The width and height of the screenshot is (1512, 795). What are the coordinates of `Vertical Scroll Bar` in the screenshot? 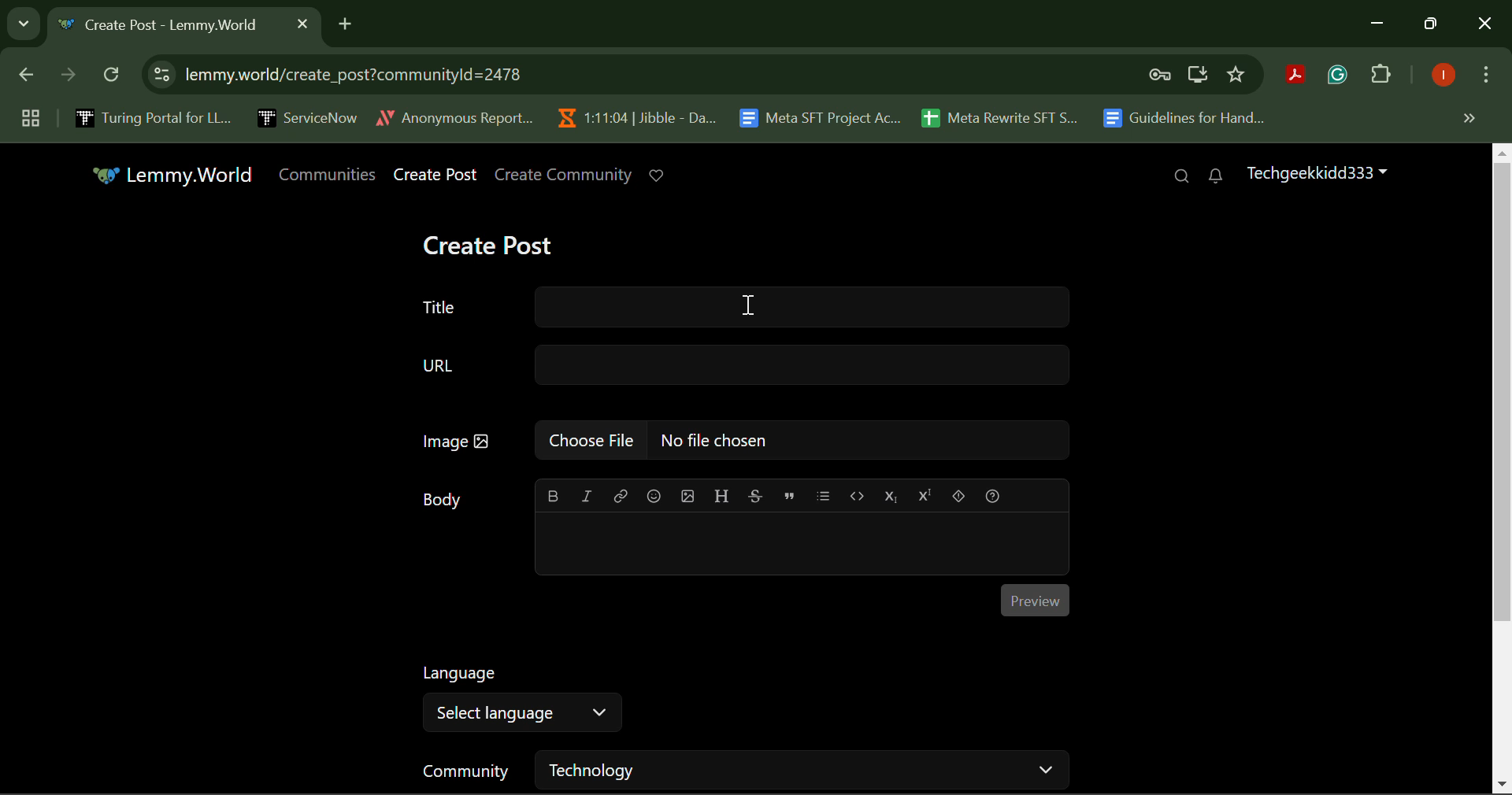 It's located at (1503, 469).